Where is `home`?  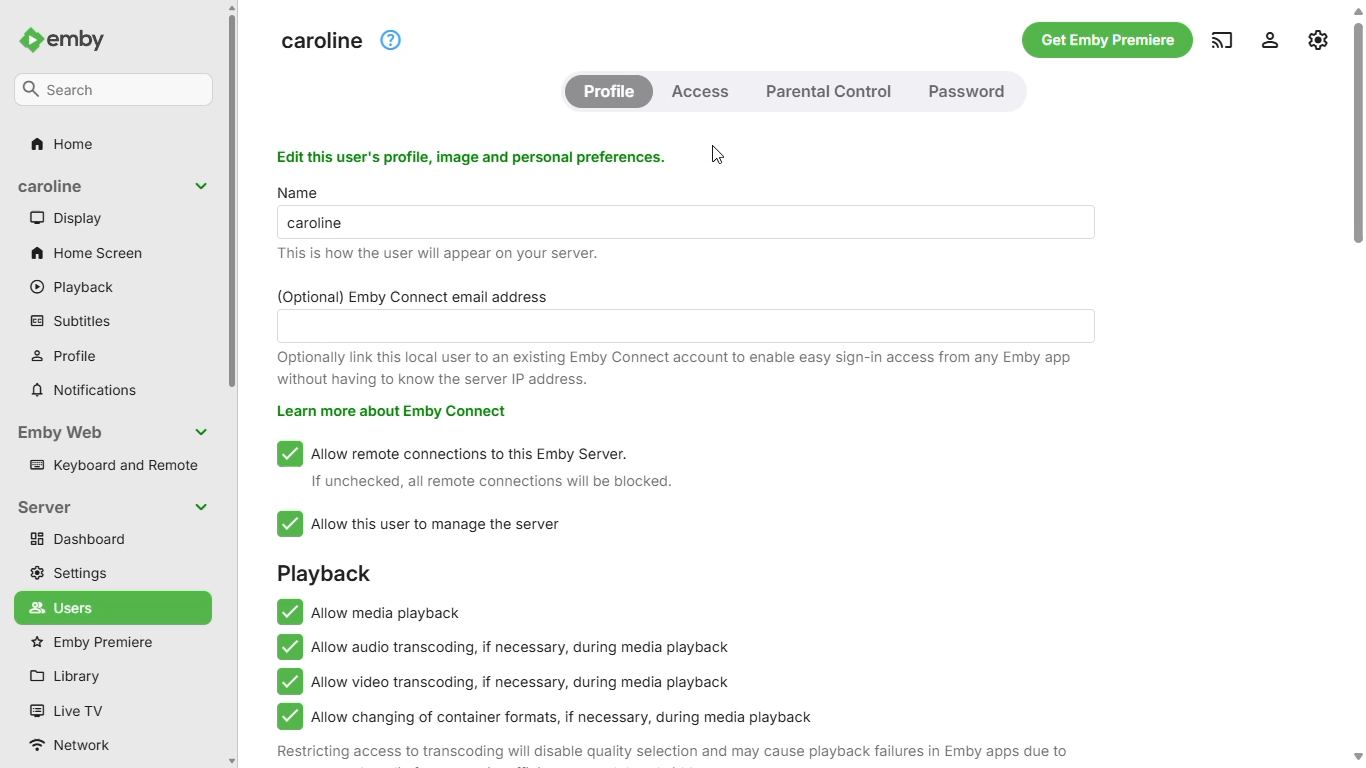 home is located at coordinates (70, 146).